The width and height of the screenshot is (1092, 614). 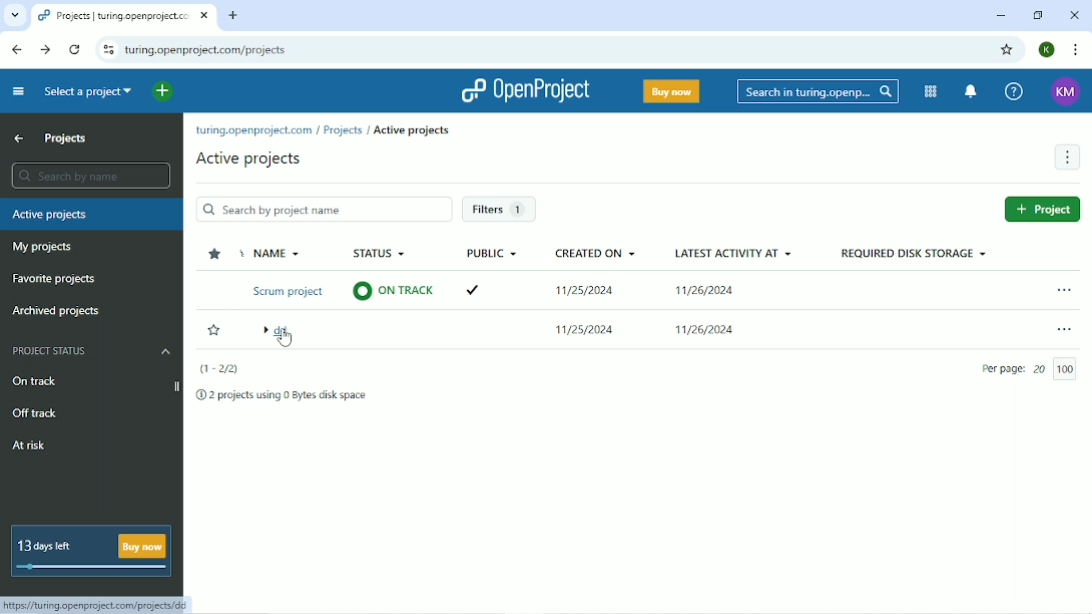 What do you see at coordinates (279, 330) in the screenshot?
I see `dd` at bounding box center [279, 330].